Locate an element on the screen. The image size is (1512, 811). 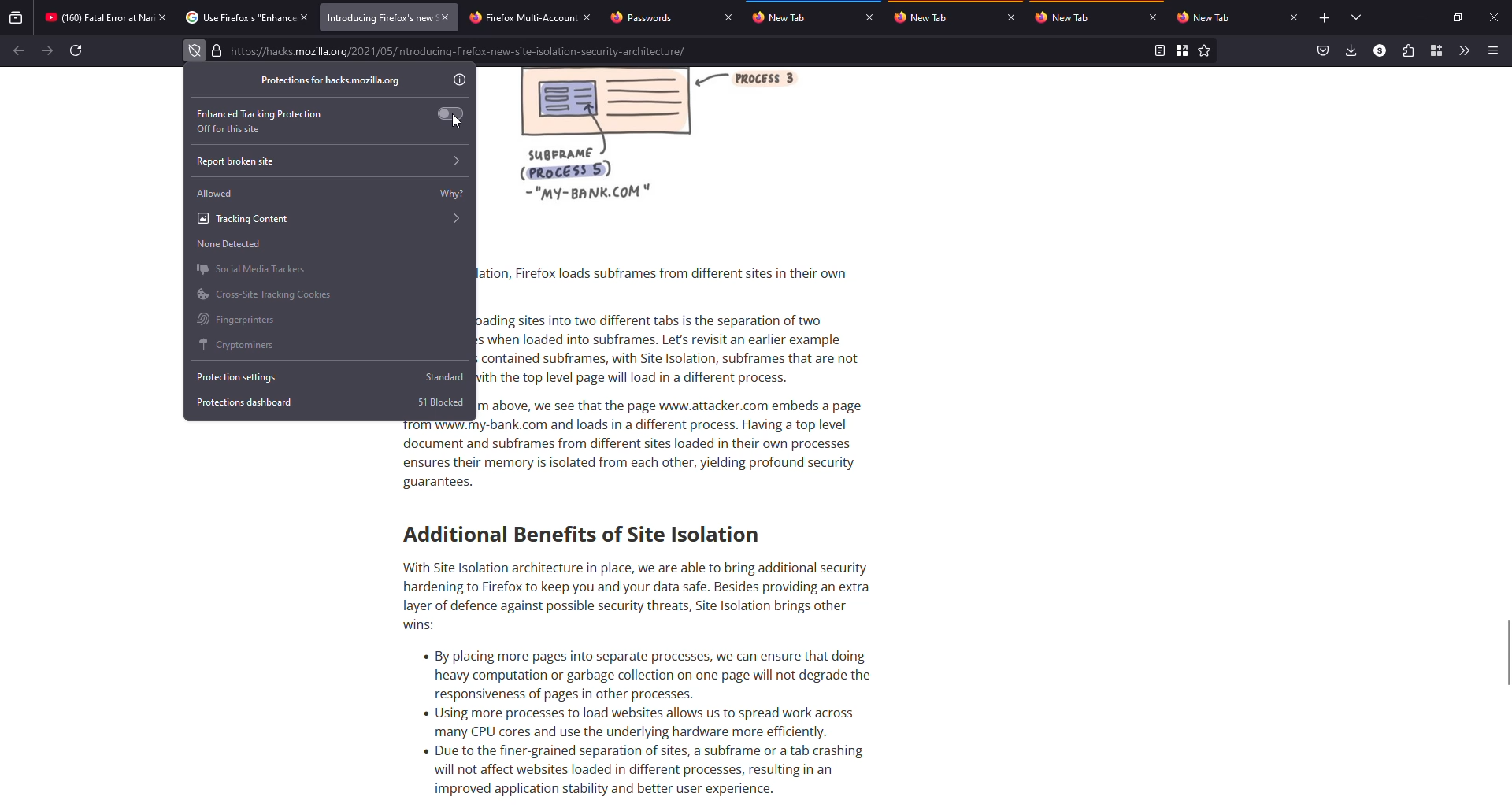
extensions is located at coordinates (1407, 50).